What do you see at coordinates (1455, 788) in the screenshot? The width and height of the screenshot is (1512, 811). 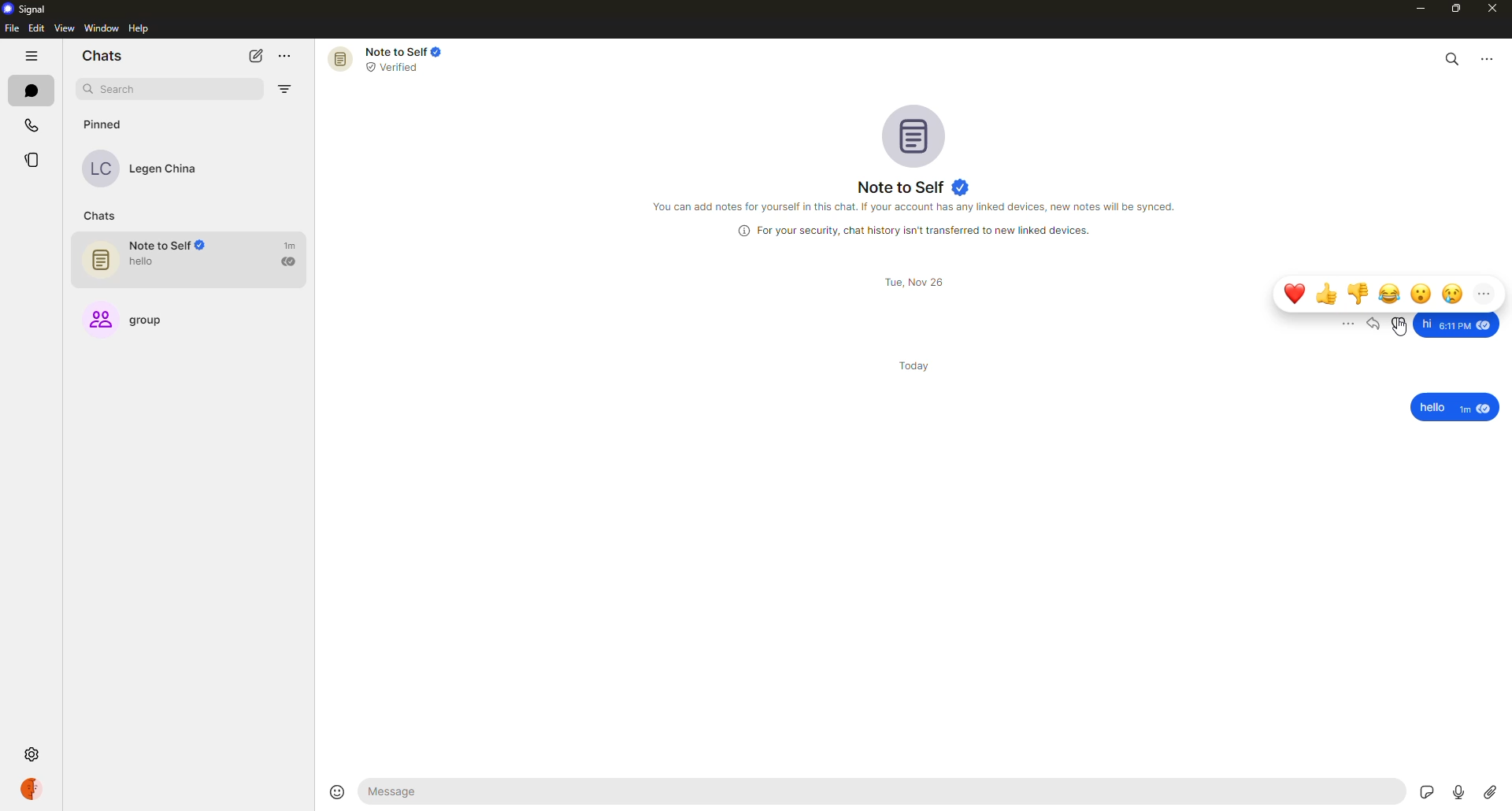 I see `record` at bounding box center [1455, 788].